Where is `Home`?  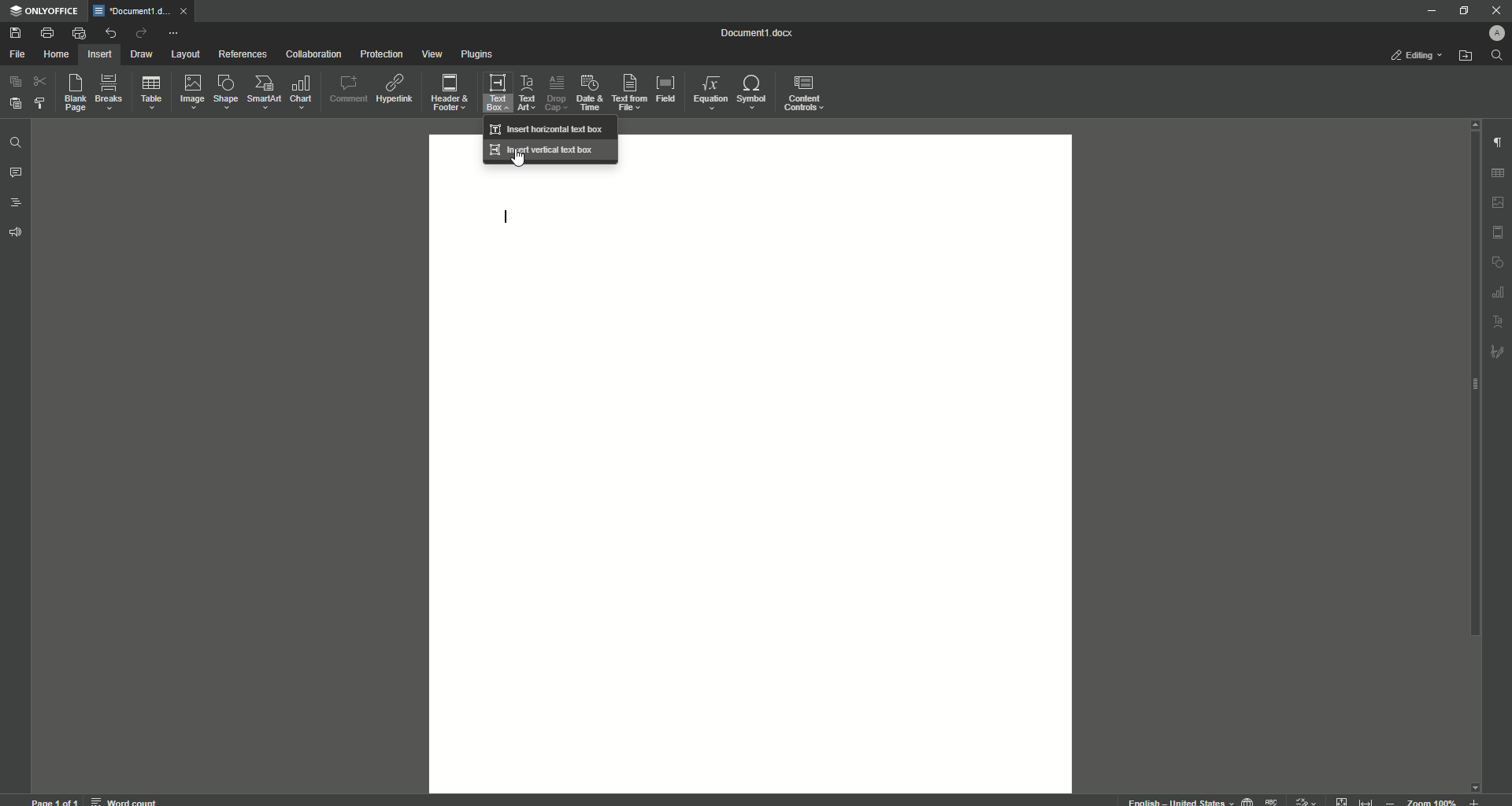 Home is located at coordinates (56, 55).